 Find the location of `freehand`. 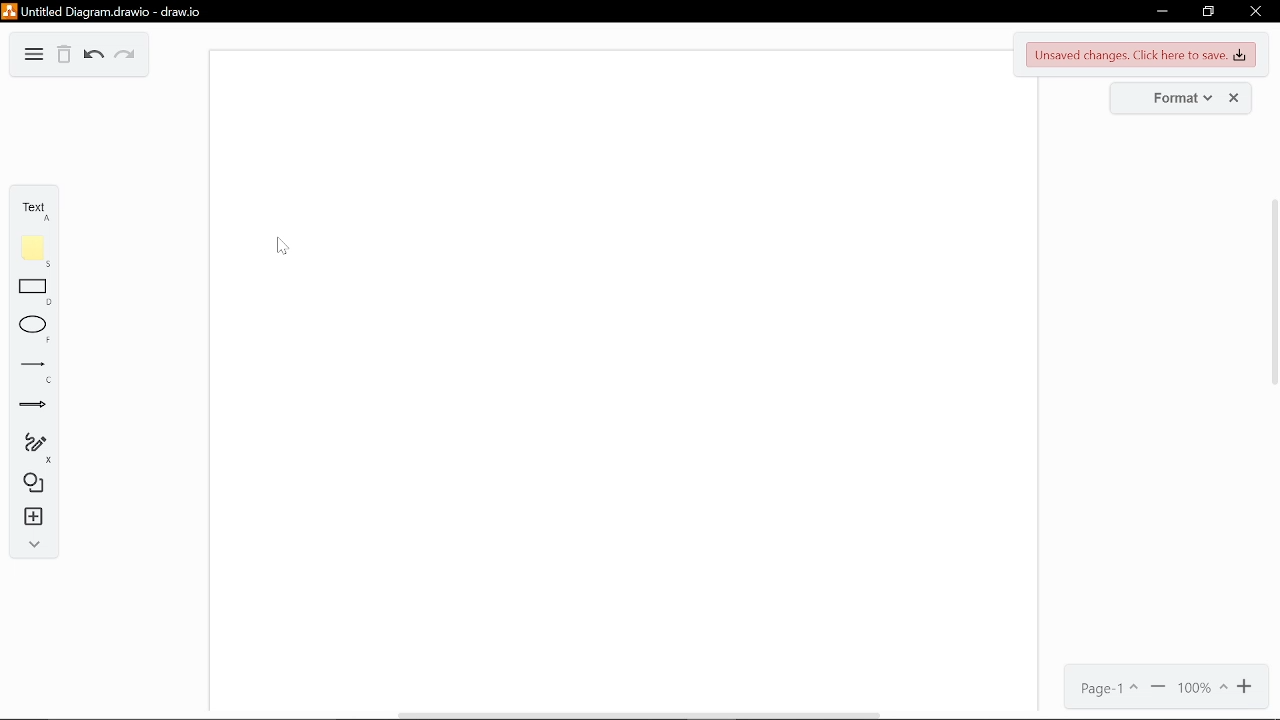

freehand is located at coordinates (34, 446).